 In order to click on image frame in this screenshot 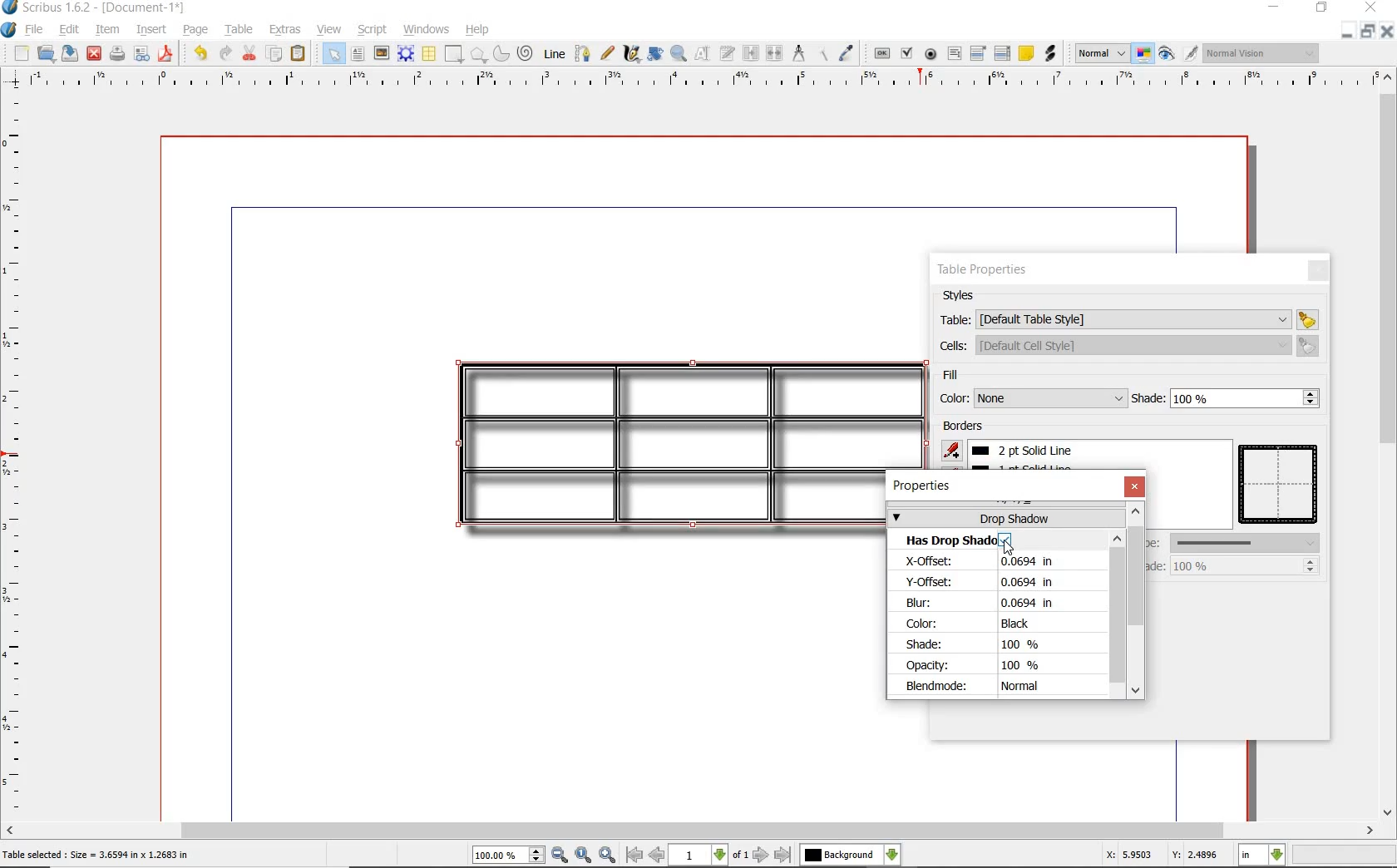, I will do `click(382, 54)`.